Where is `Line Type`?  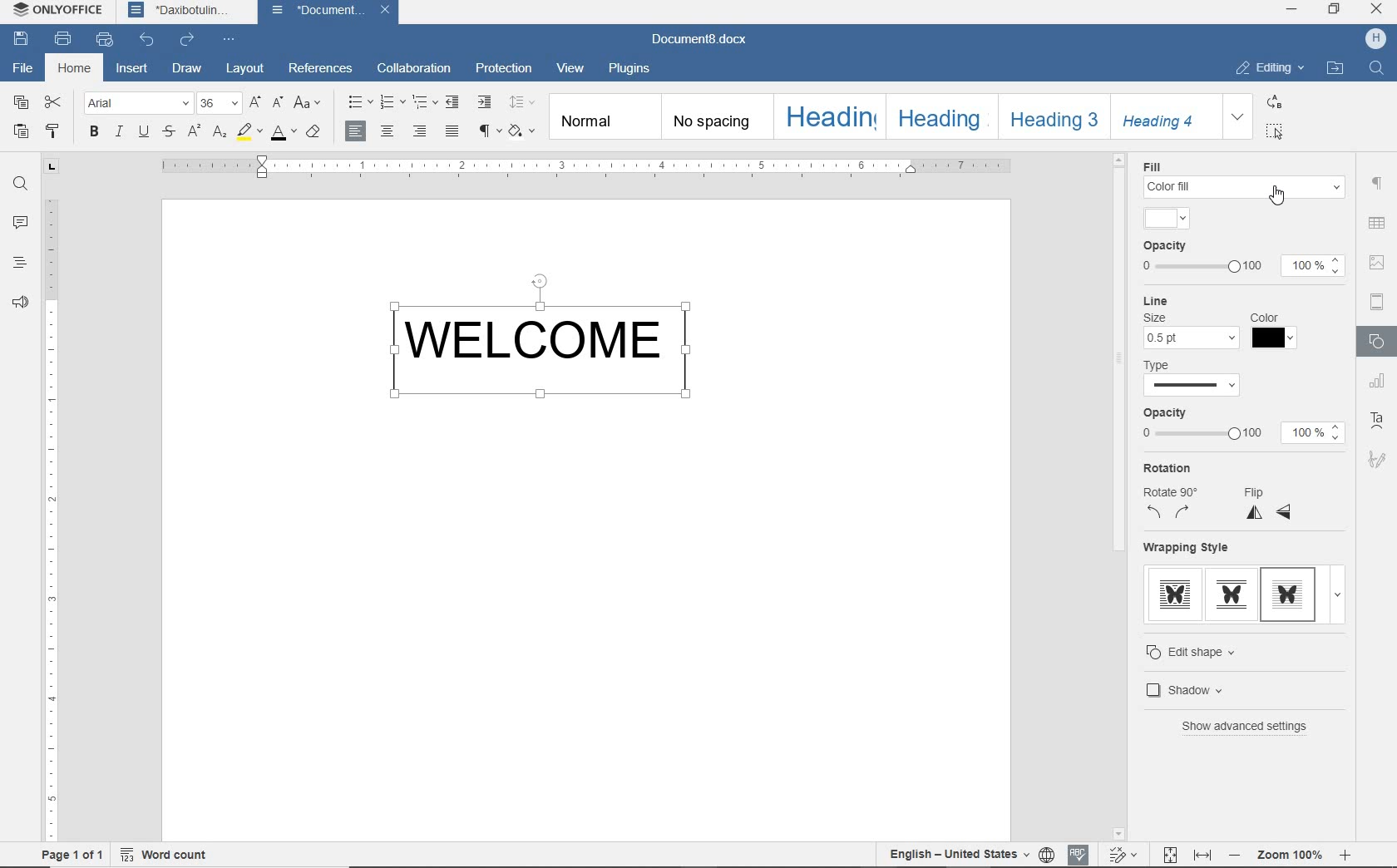 Line Type is located at coordinates (1161, 365).